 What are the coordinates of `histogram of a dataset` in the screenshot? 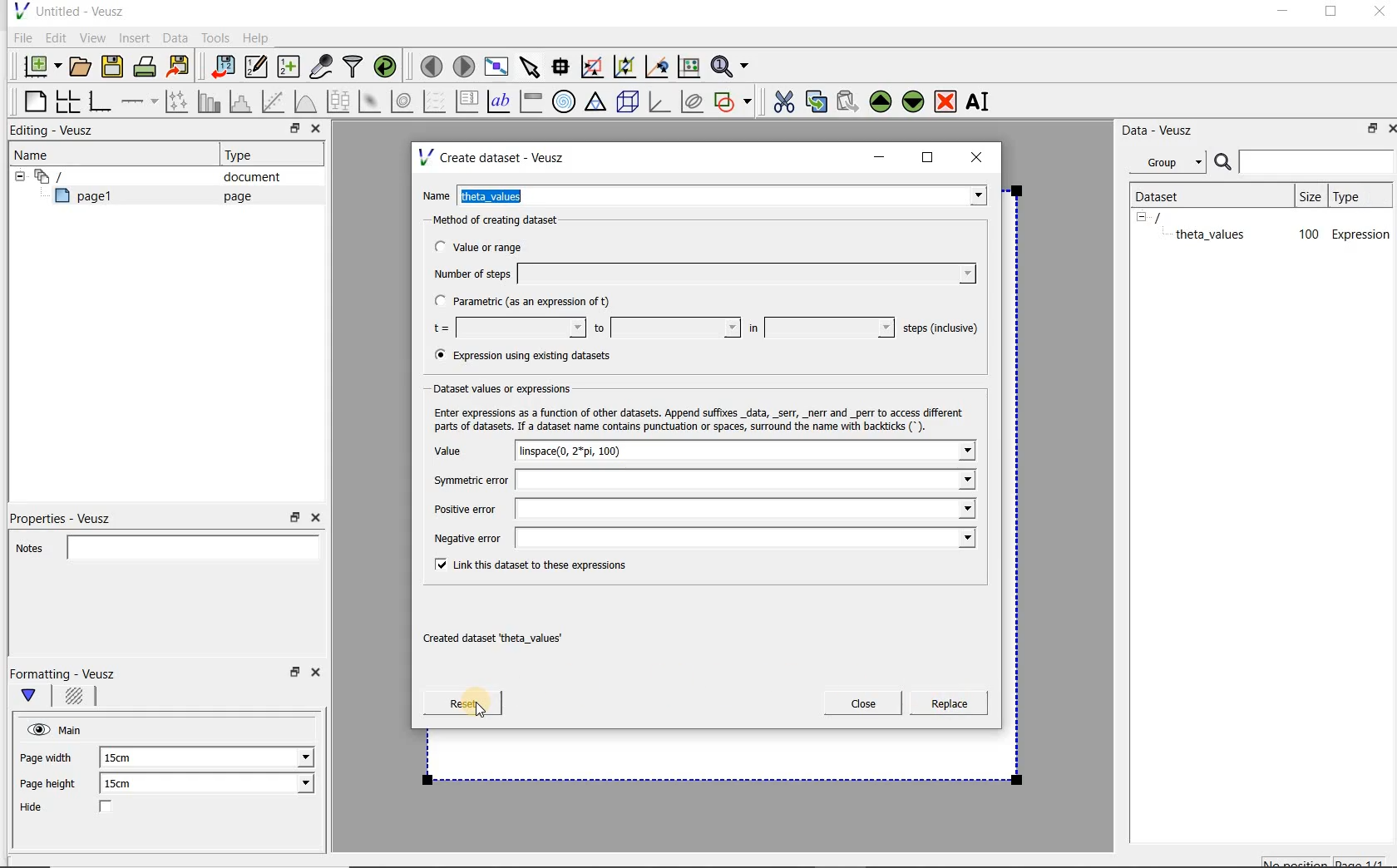 It's located at (243, 101).